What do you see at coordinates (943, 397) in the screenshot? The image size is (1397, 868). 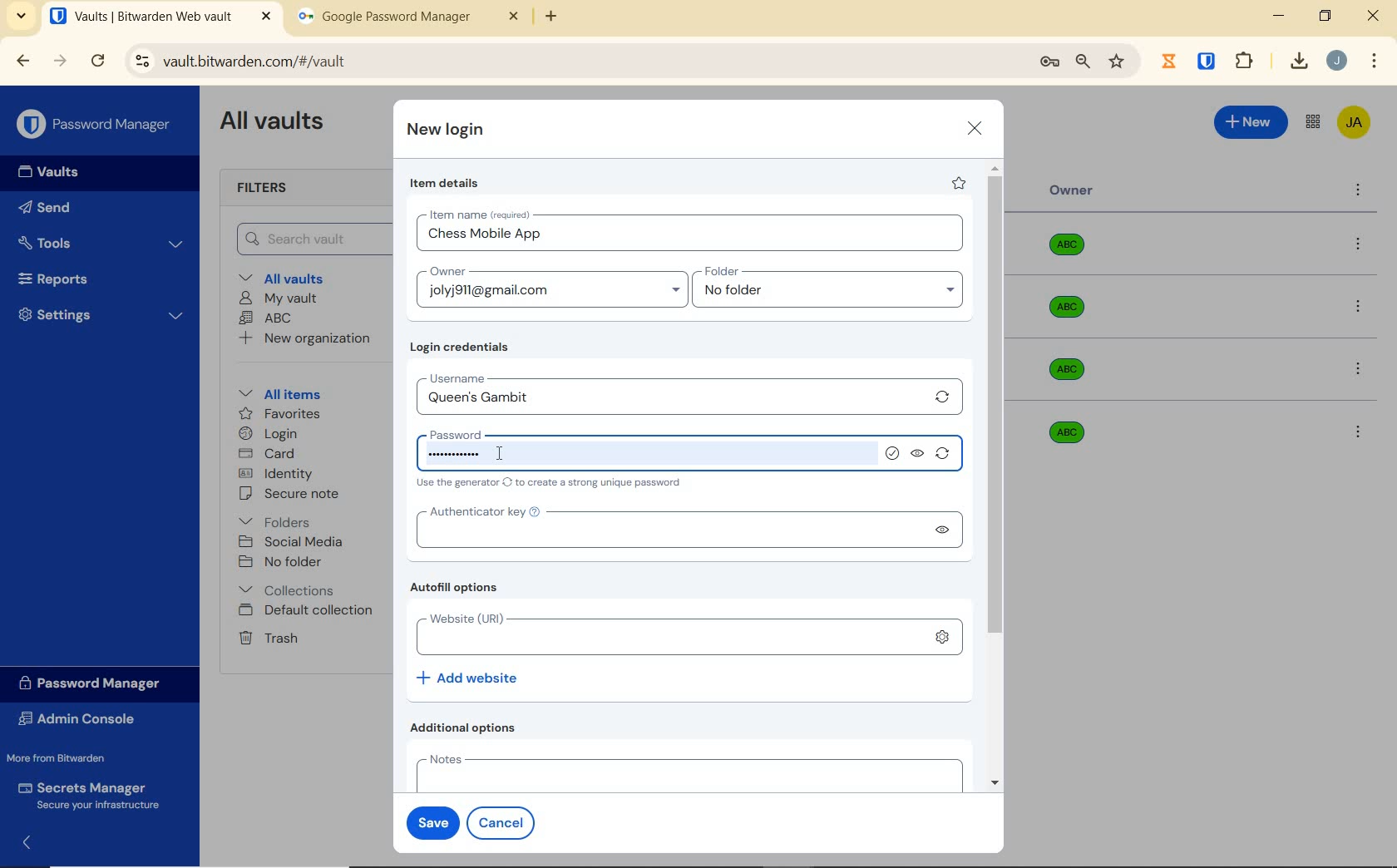 I see `generate` at bounding box center [943, 397].